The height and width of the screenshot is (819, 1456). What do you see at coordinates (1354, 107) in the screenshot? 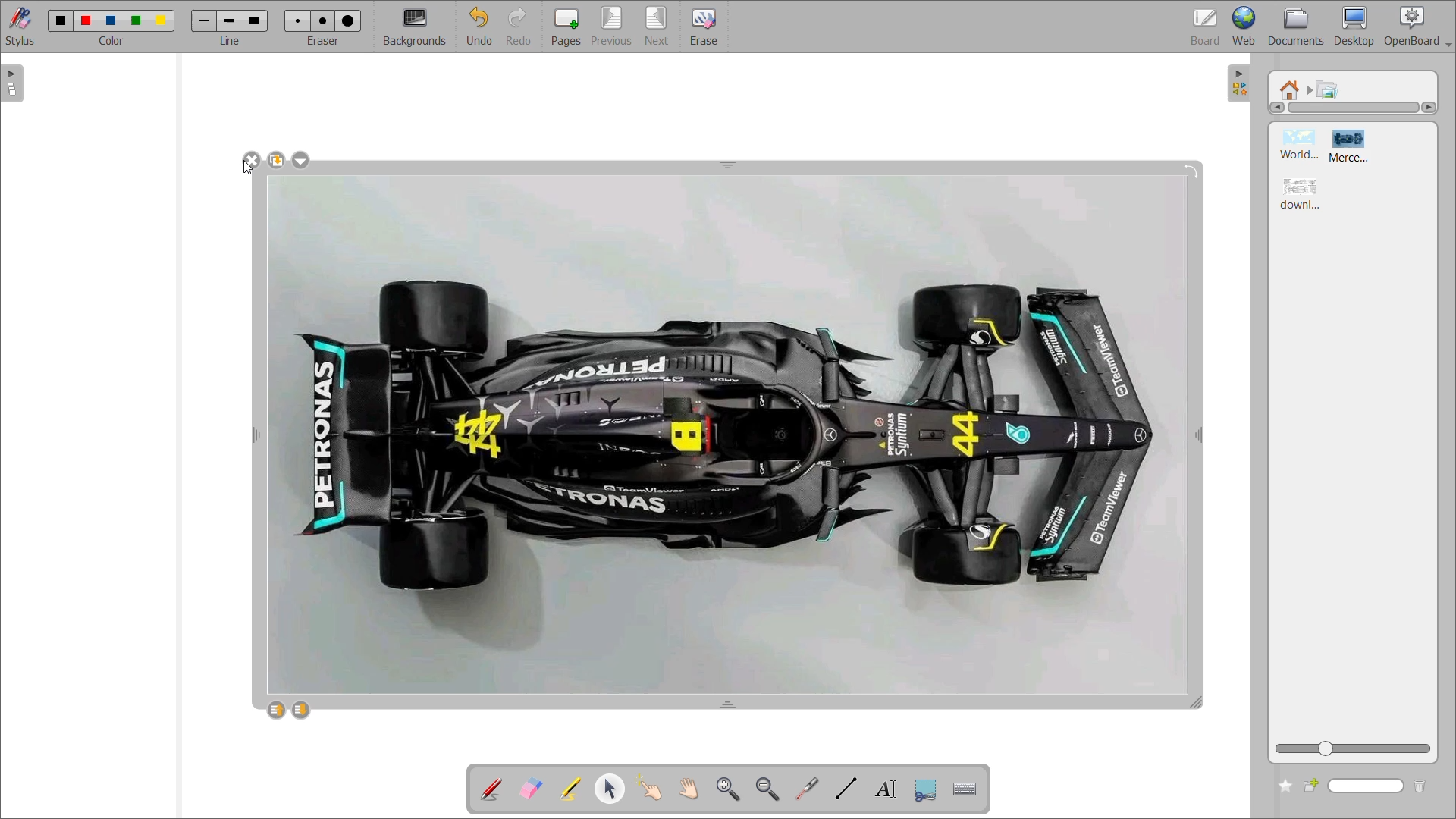
I see `horizontal scroll bar` at bounding box center [1354, 107].